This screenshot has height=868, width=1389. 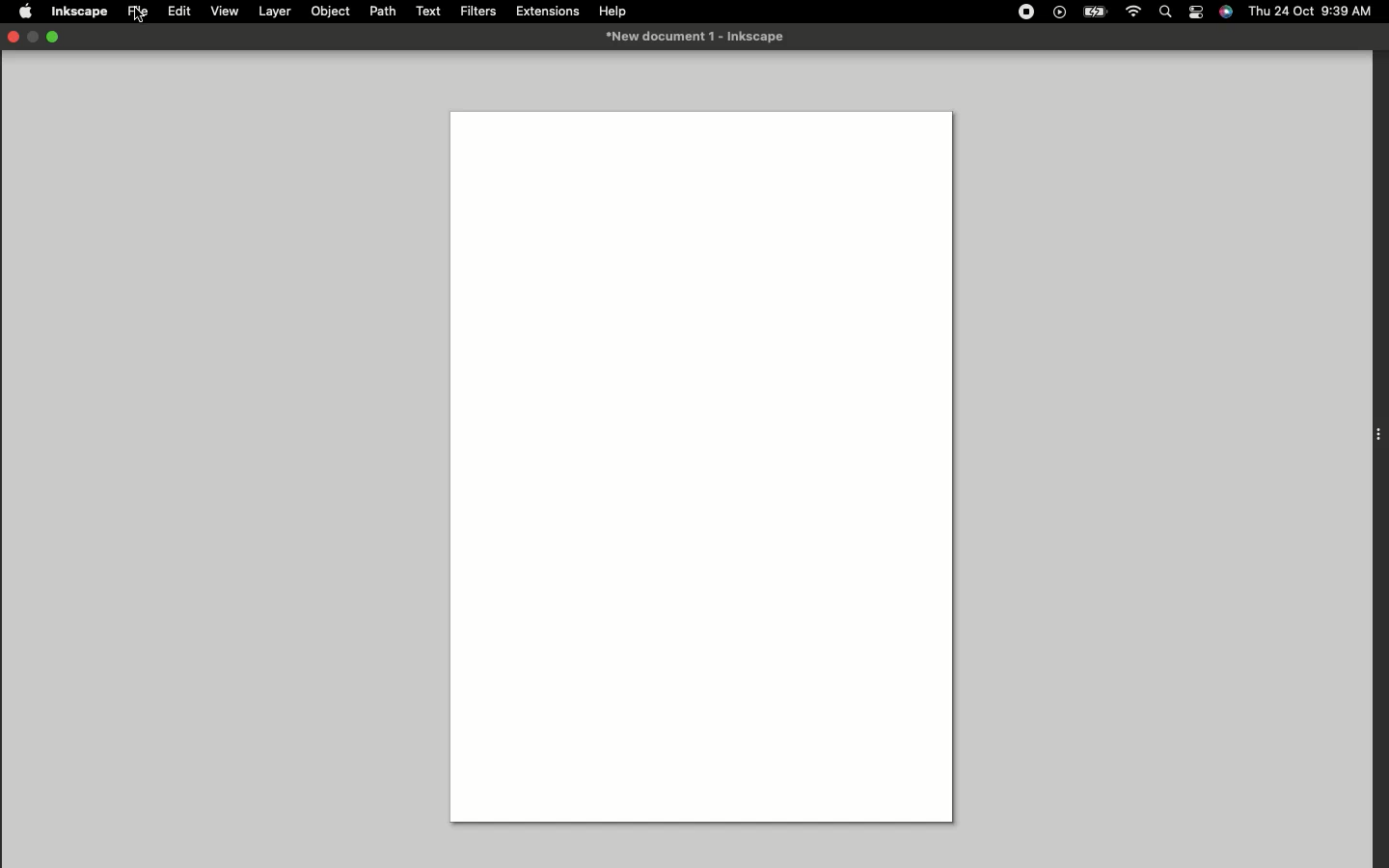 What do you see at coordinates (1380, 437) in the screenshot?
I see `Extension` at bounding box center [1380, 437].